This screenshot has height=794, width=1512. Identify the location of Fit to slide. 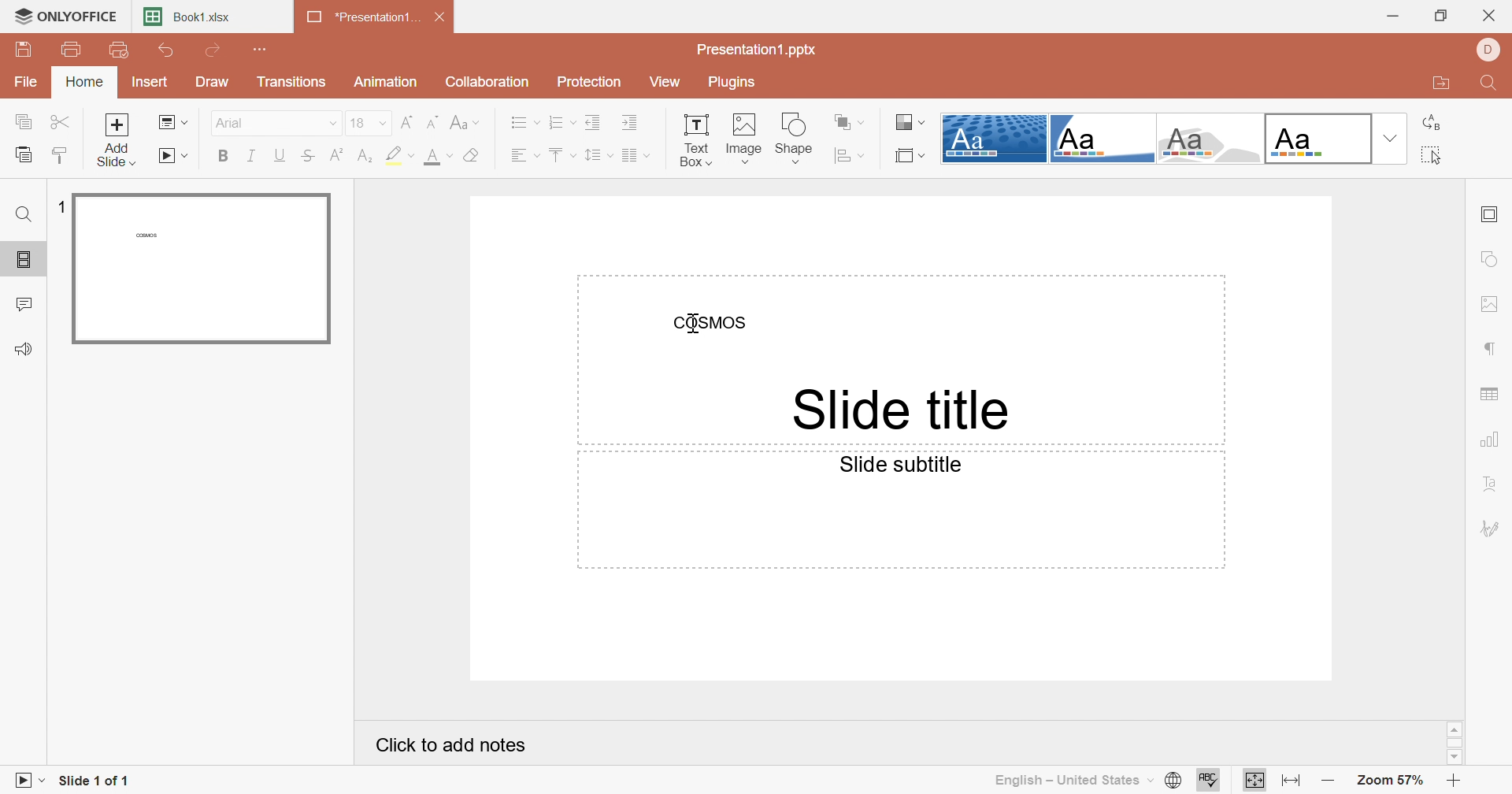
(1253, 778).